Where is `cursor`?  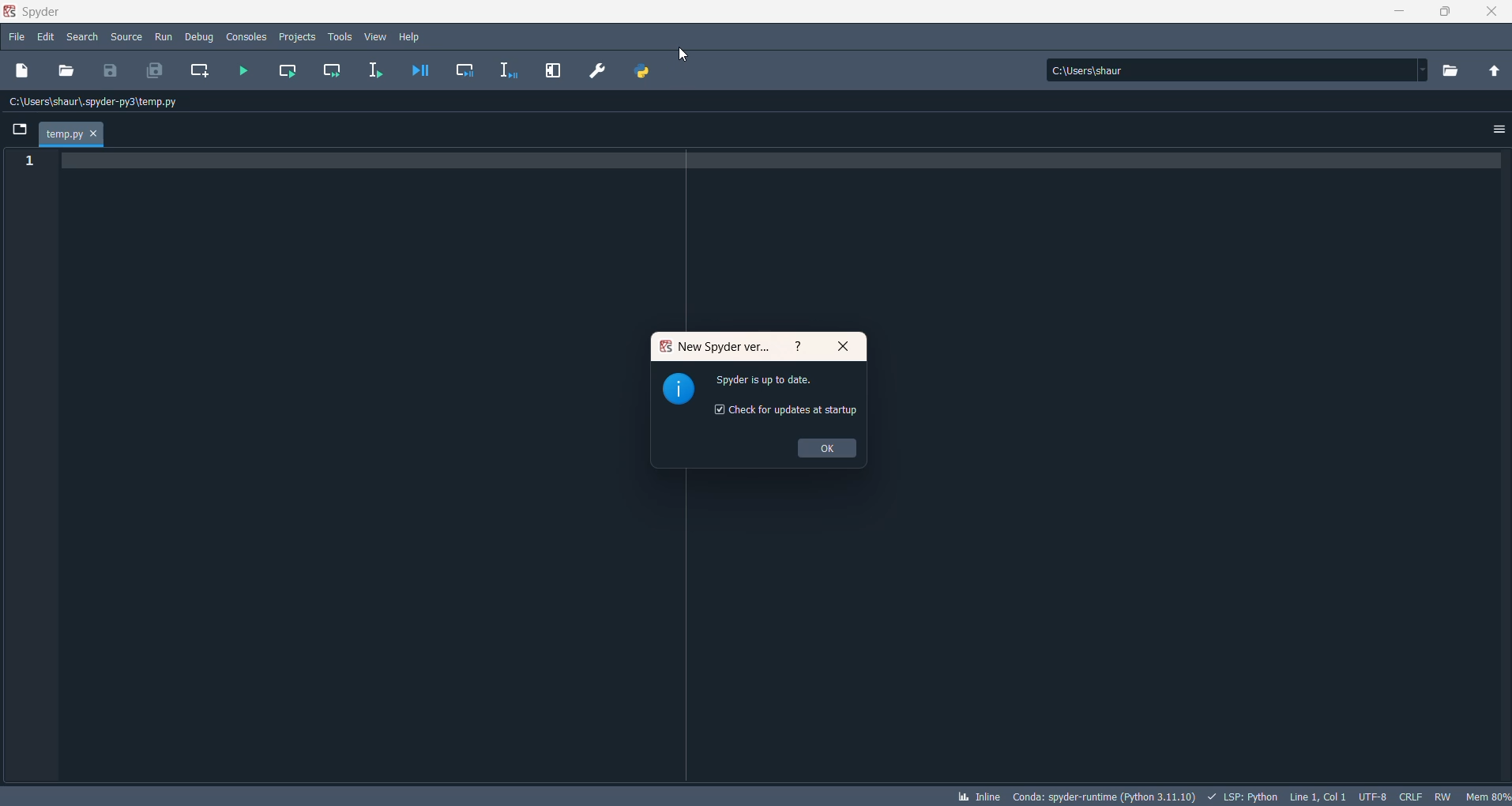 cursor is located at coordinates (684, 56).